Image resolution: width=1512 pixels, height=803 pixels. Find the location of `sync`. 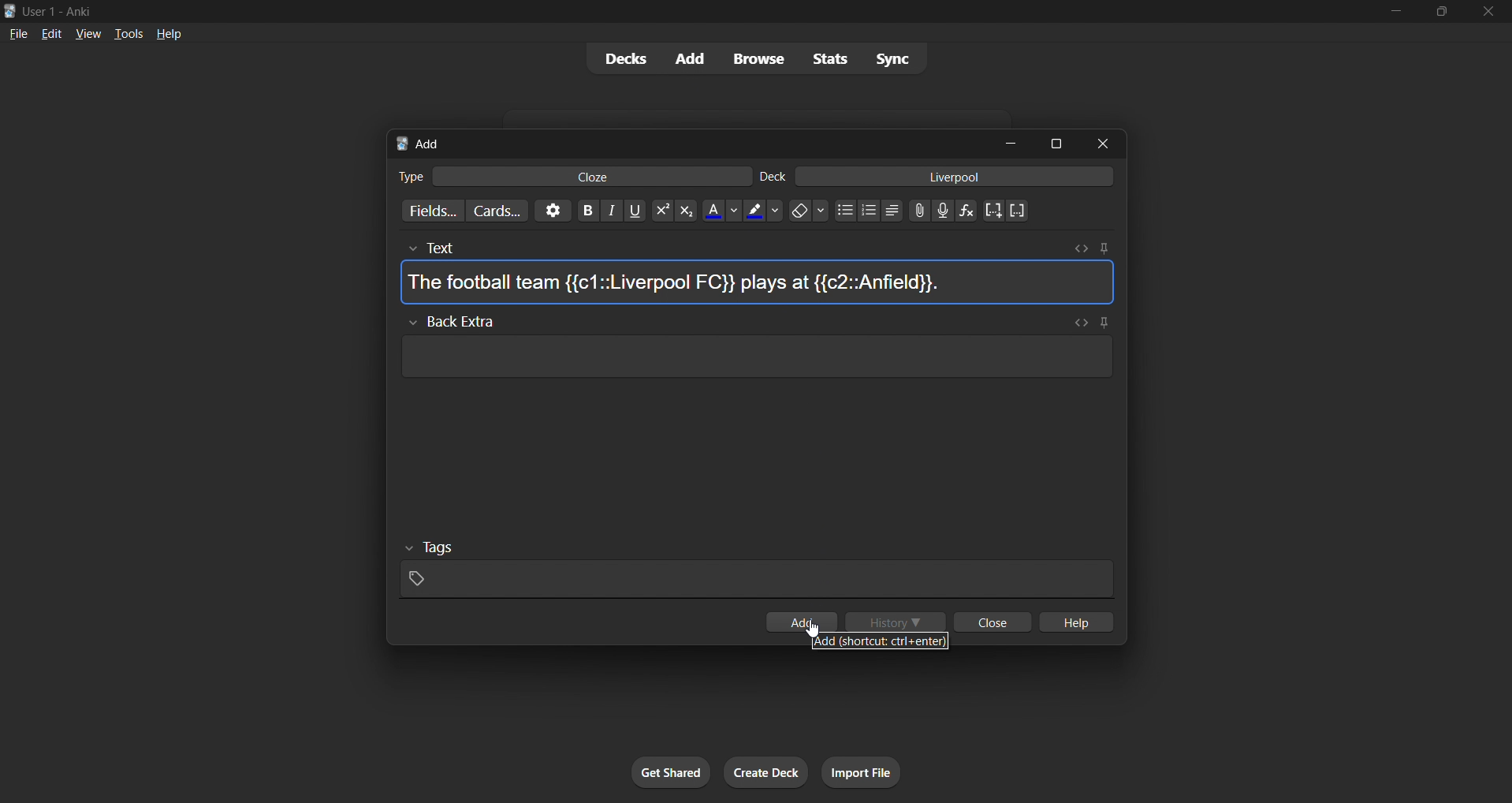

sync is located at coordinates (892, 58).